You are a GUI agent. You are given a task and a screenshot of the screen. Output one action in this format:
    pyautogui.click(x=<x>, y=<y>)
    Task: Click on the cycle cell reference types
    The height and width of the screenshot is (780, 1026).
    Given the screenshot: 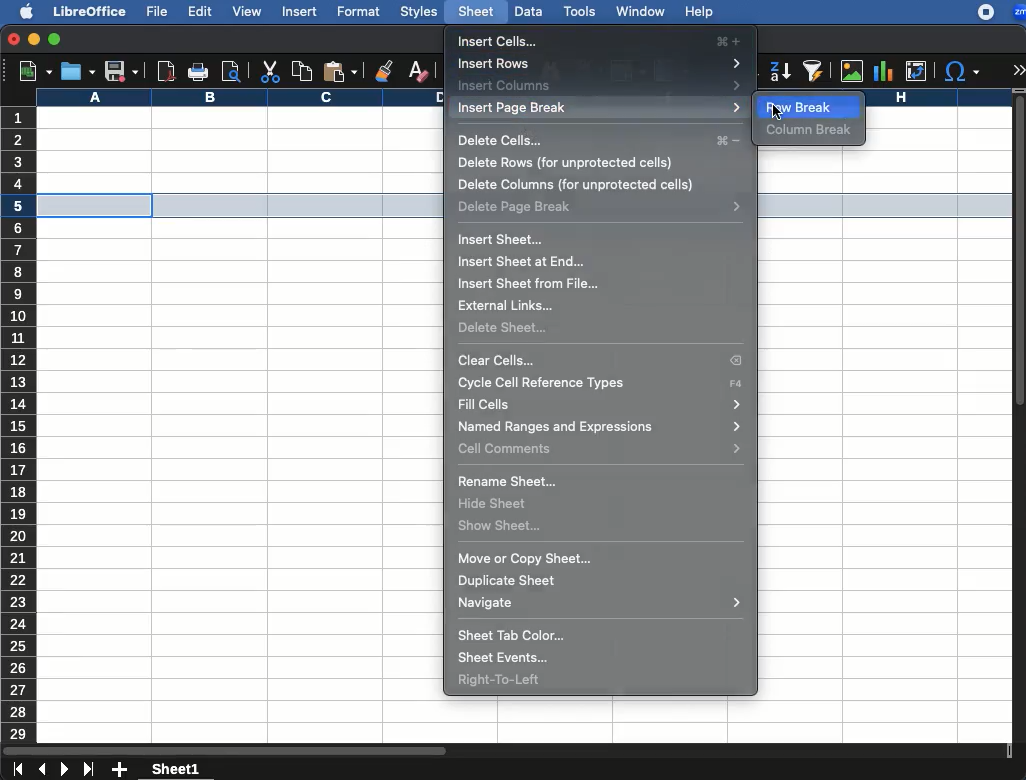 What is the action you would take?
    pyautogui.click(x=602, y=382)
    